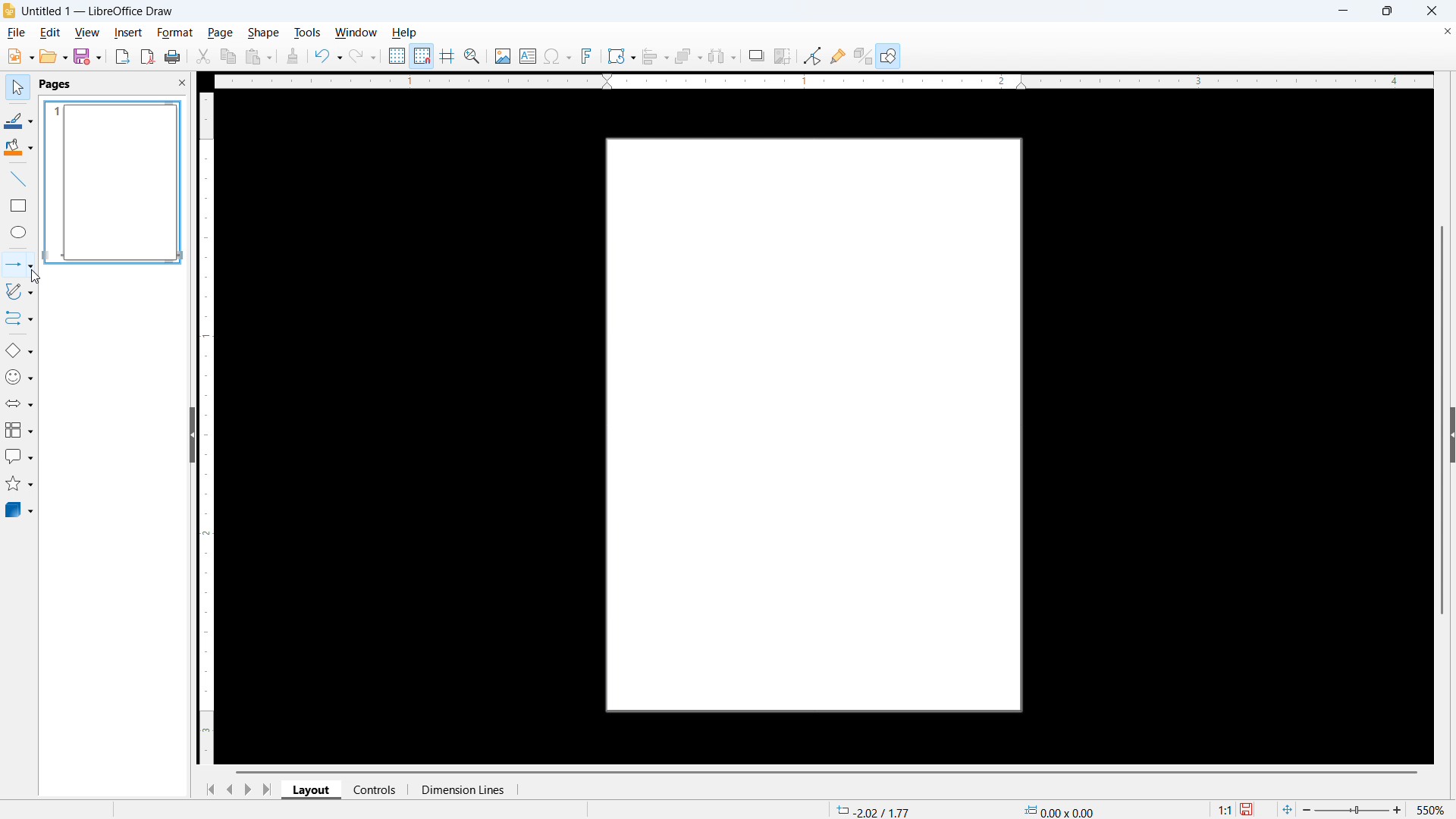  Describe the element at coordinates (814, 425) in the screenshot. I see `Page ` at that location.